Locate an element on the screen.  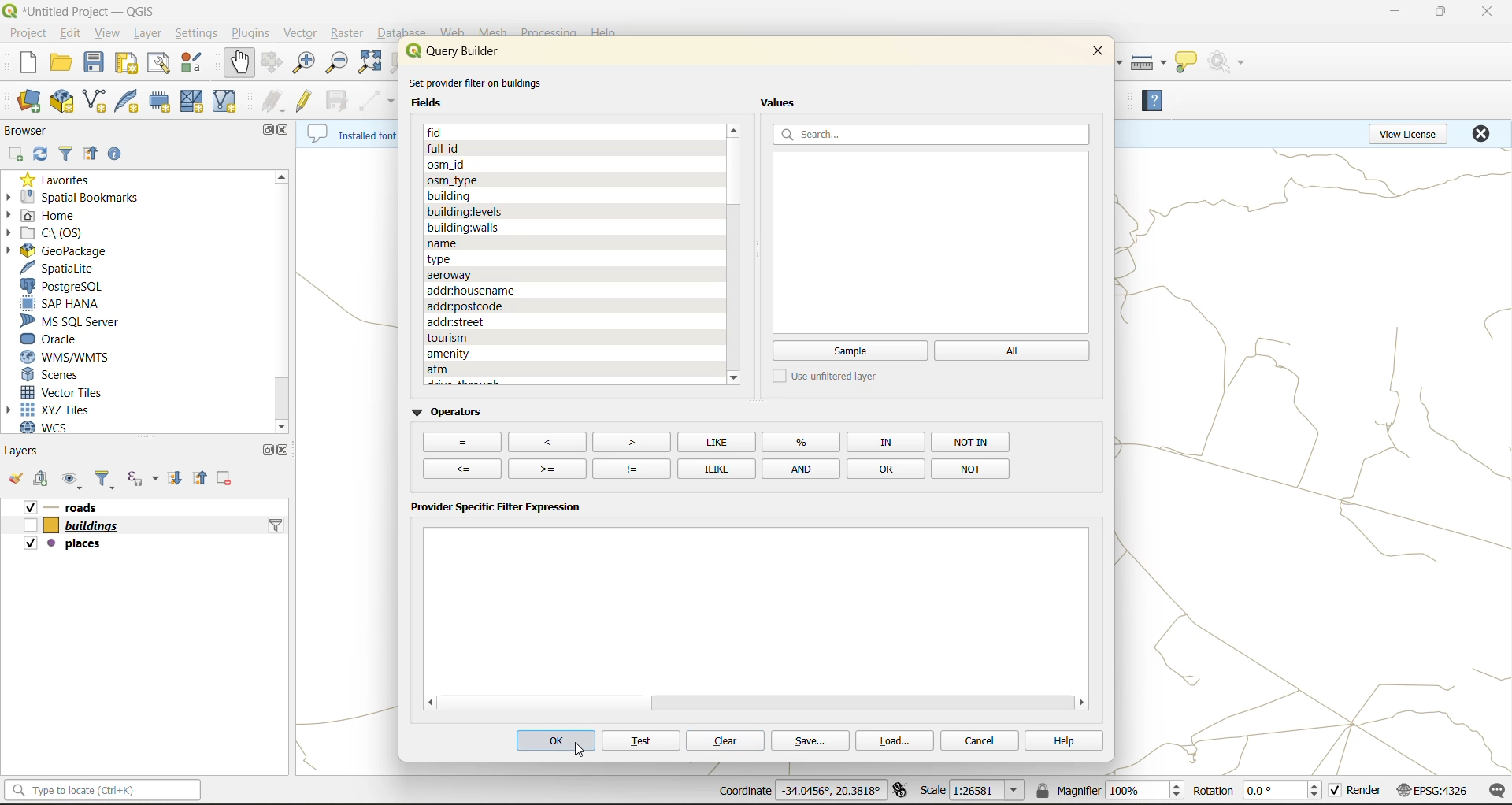
provider specific filter expression is located at coordinates (497, 510).